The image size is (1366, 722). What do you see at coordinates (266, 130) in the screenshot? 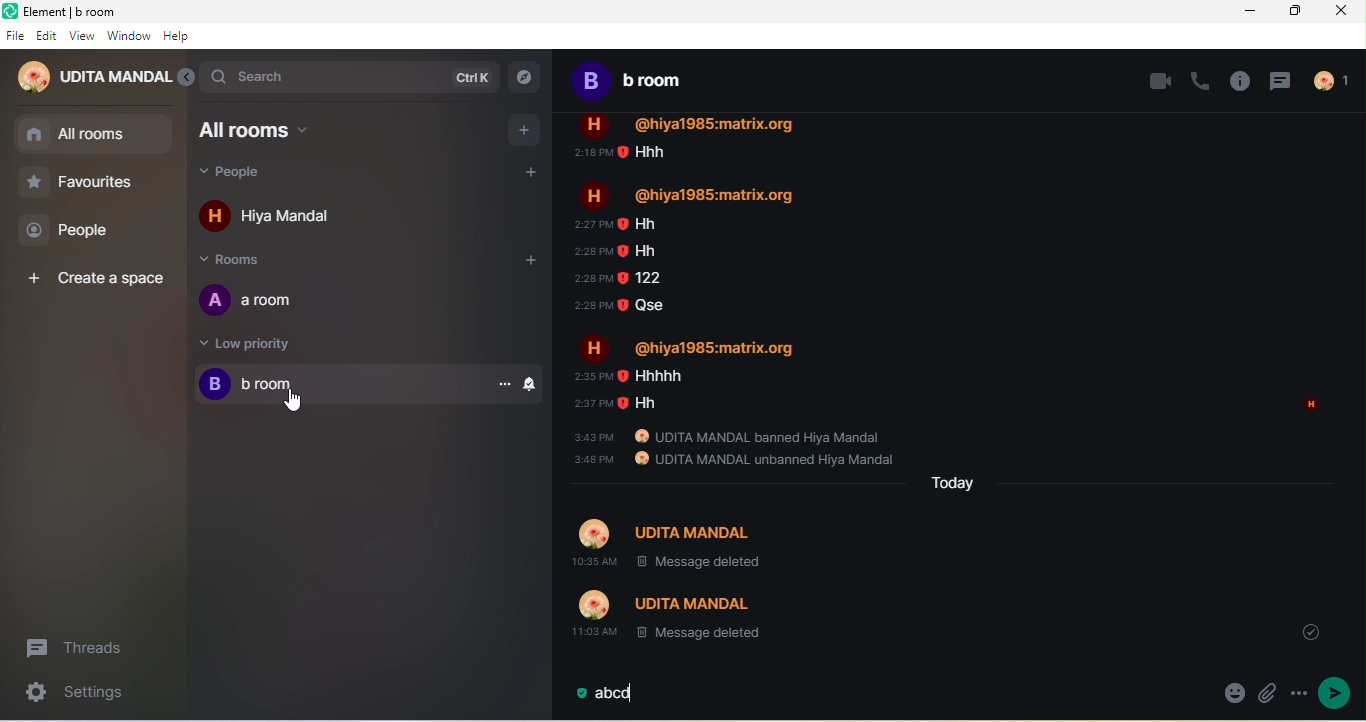
I see `all rooms` at bounding box center [266, 130].